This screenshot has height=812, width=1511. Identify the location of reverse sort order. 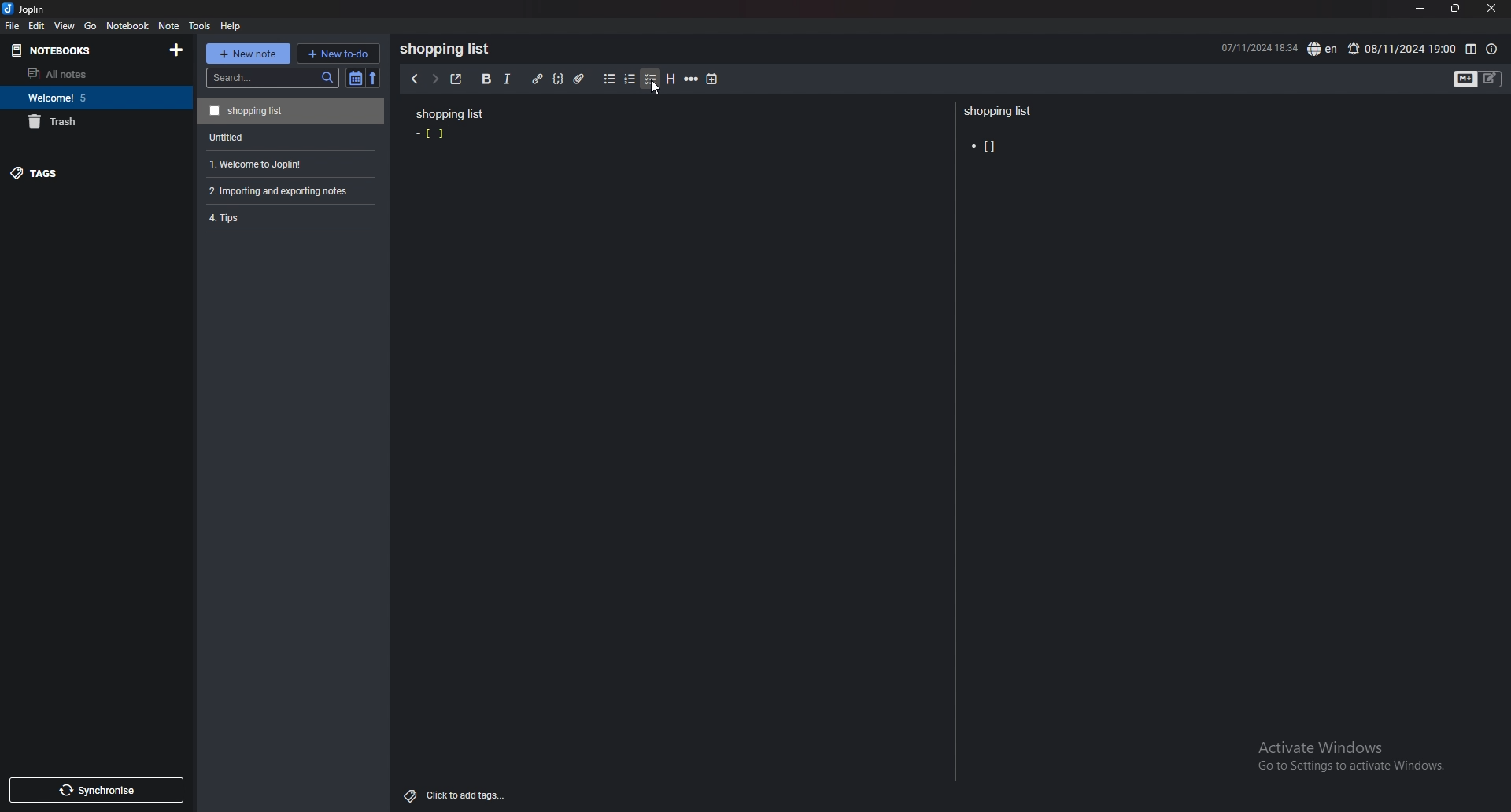
(376, 78).